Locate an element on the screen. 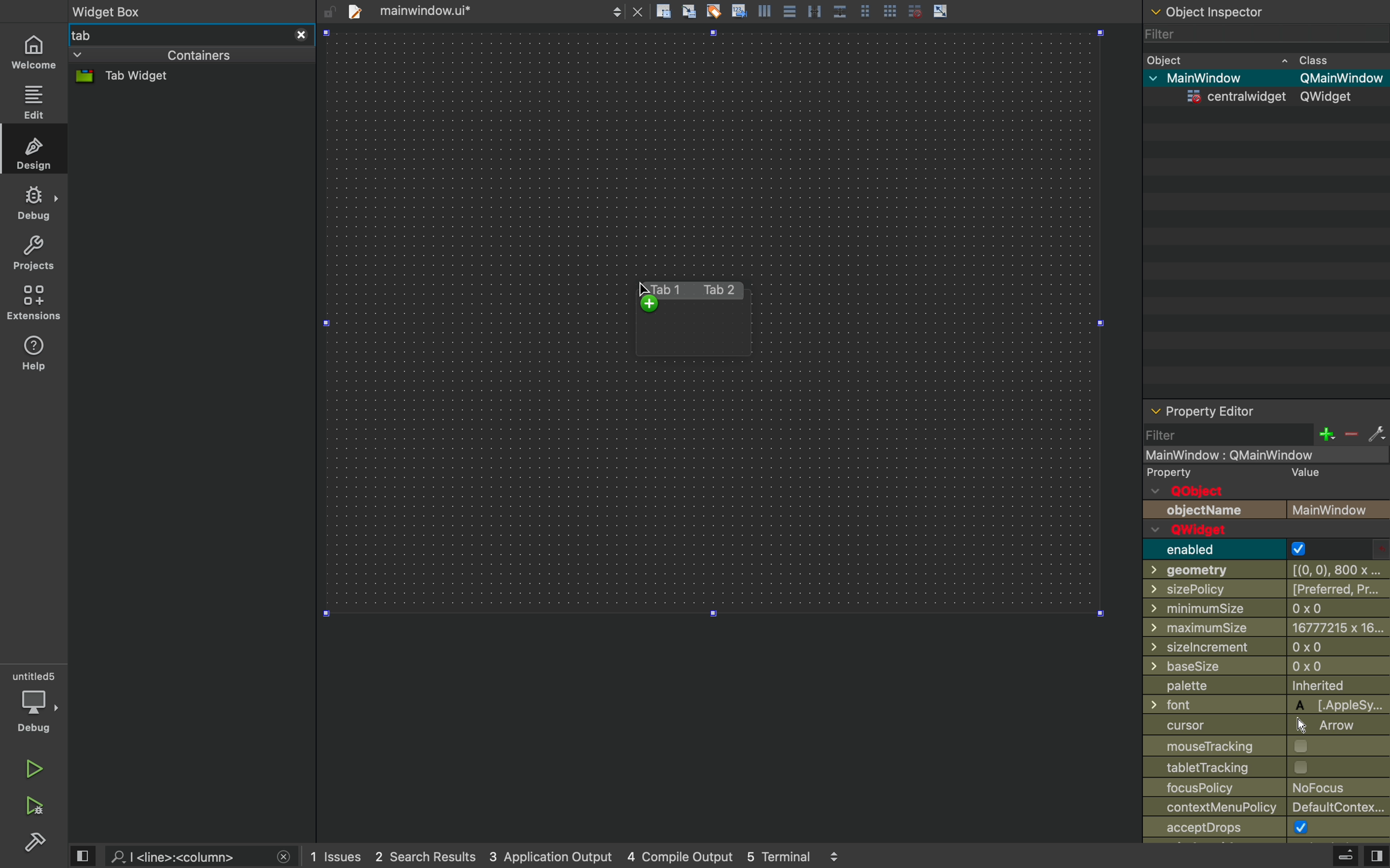  run is located at coordinates (36, 772).